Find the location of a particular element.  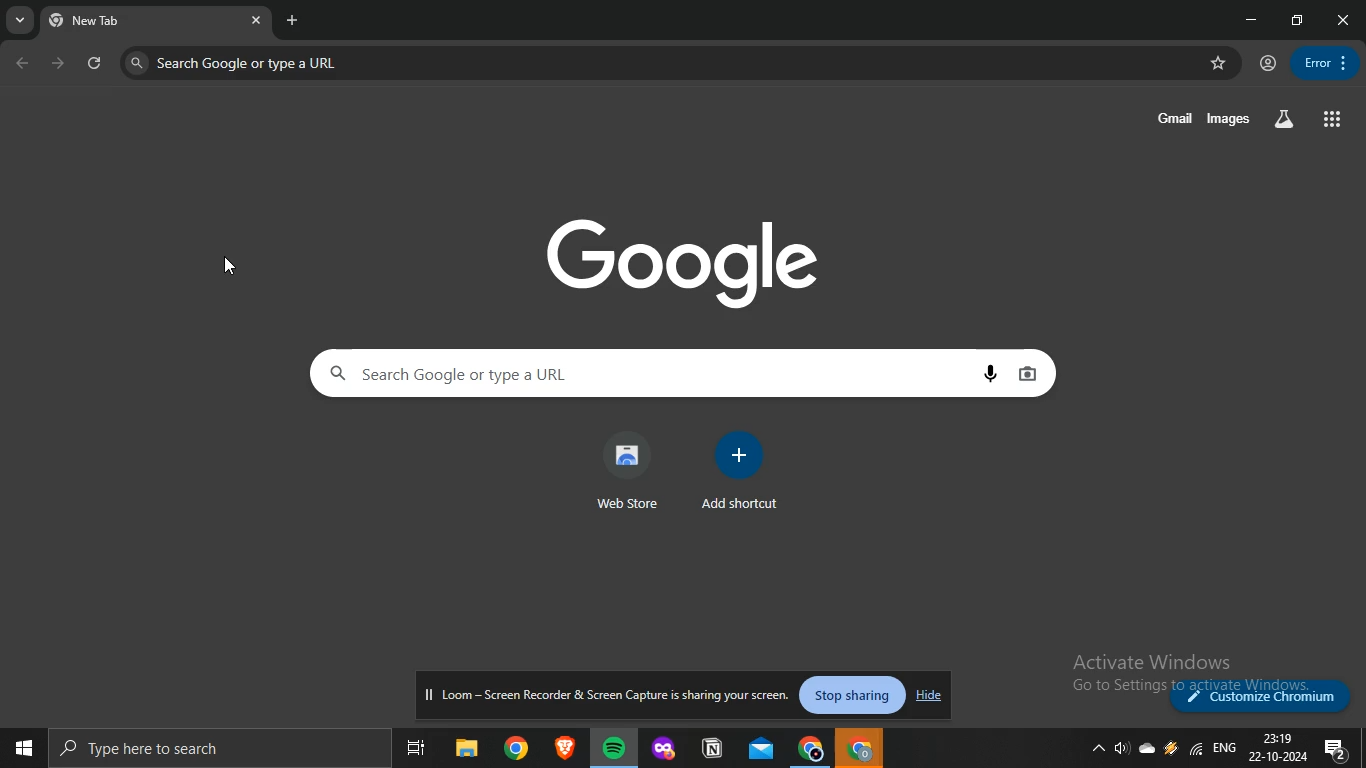

refresh is located at coordinates (96, 64).